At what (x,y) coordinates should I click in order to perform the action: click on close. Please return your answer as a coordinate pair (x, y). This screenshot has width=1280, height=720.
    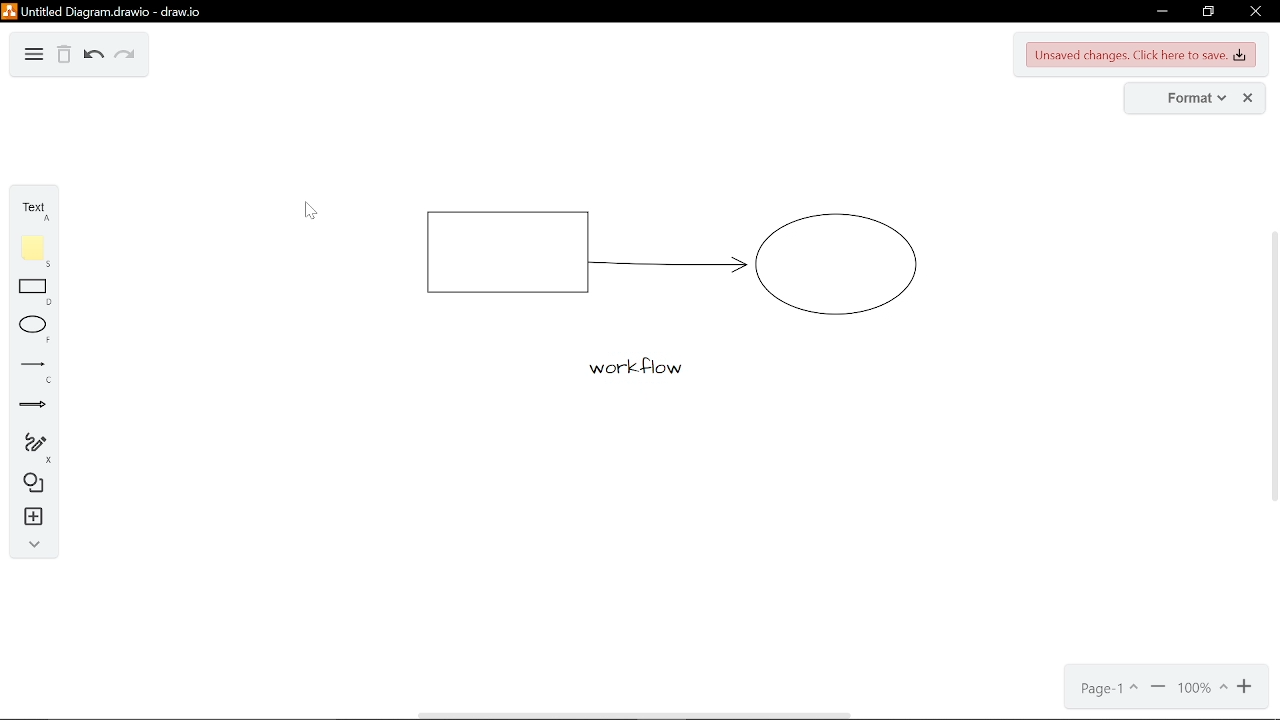
    Looking at the image, I should click on (1246, 98).